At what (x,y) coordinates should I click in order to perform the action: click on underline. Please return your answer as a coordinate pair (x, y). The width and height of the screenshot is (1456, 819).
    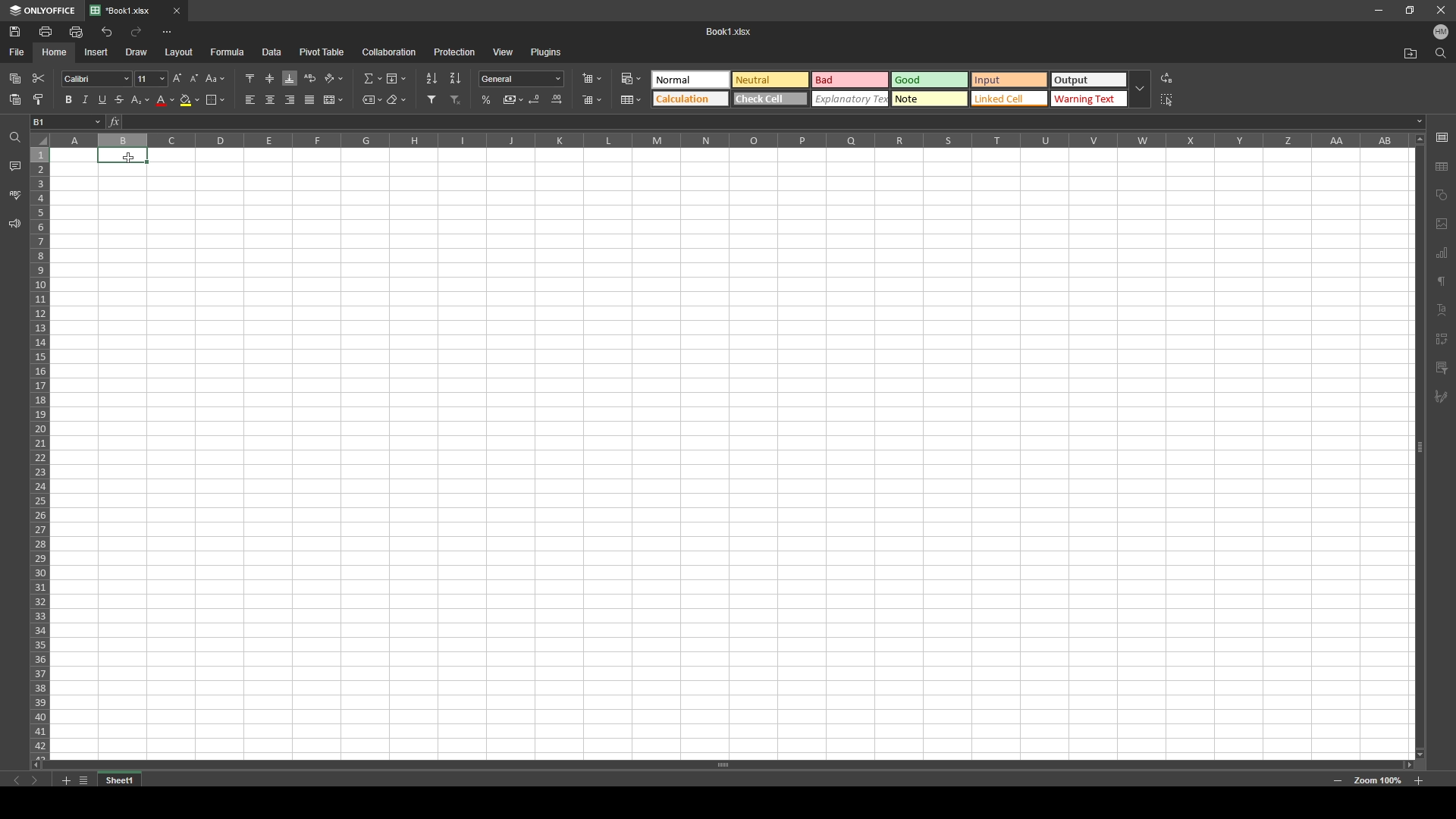
    Looking at the image, I should click on (102, 100).